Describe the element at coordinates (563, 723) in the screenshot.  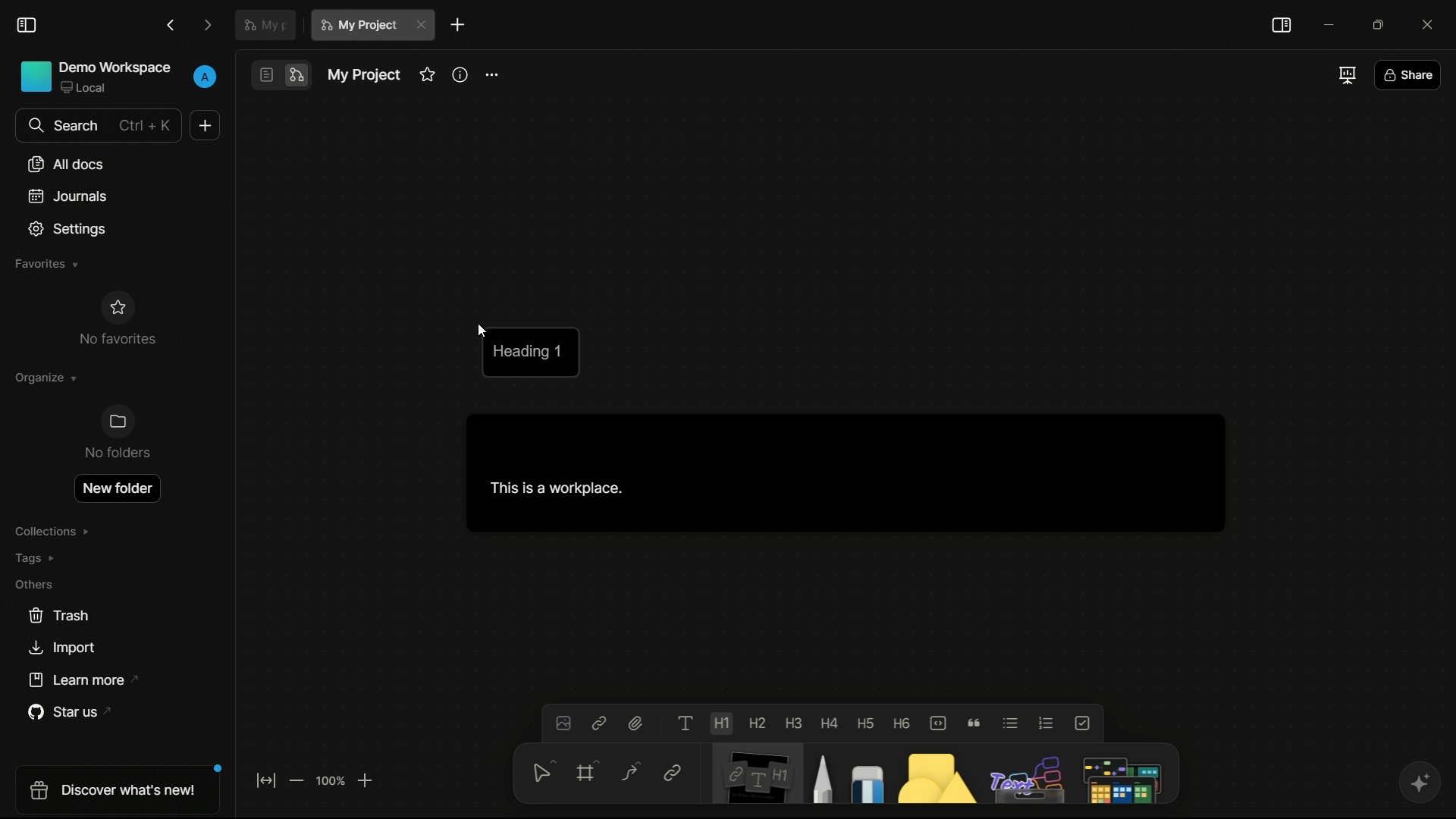
I see `insert image` at that location.